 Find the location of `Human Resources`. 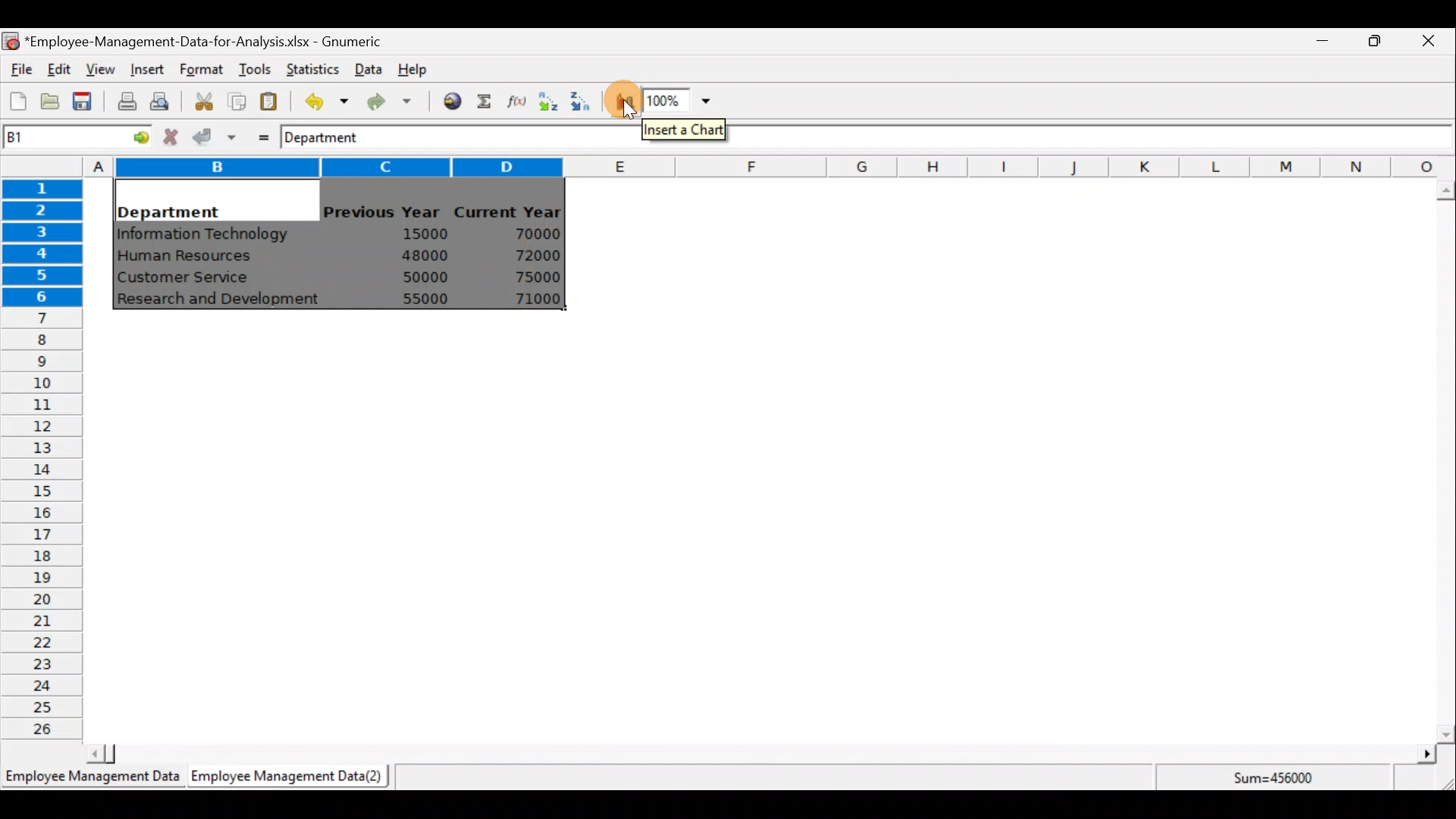

Human Resources is located at coordinates (192, 257).